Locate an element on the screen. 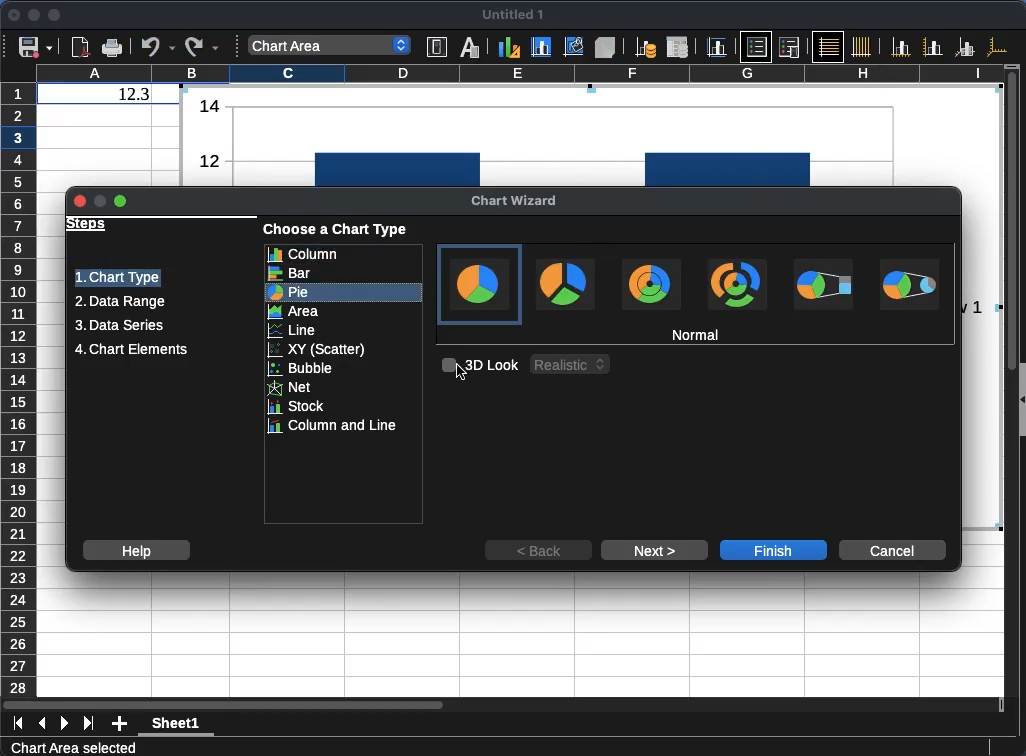 This screenshot has height=756, width=1026. Z axes is located at coordinates (965, 47).